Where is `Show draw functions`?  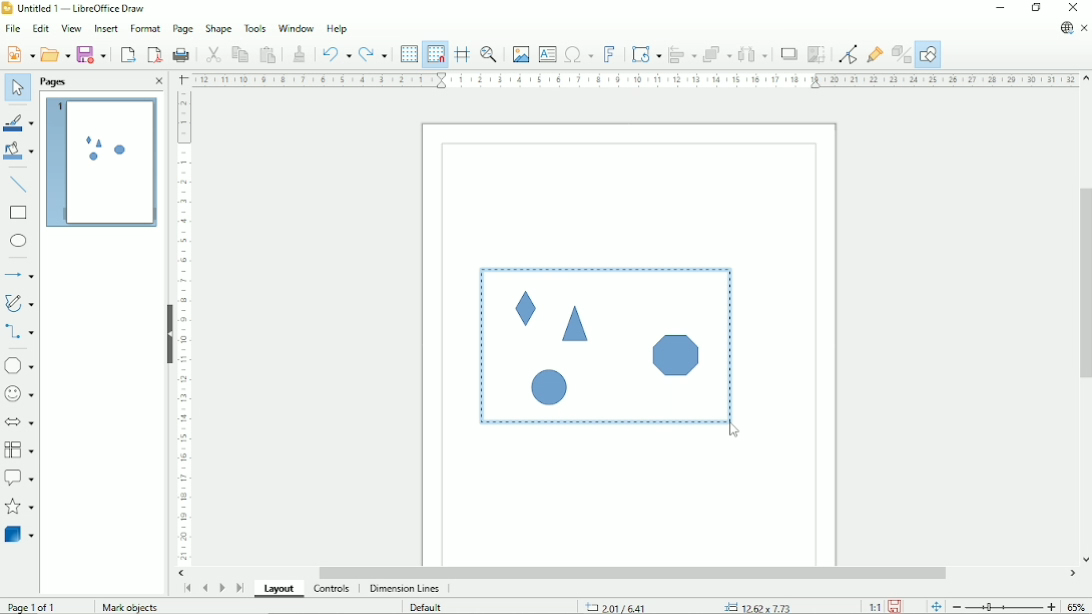 Show draw functions is located at coordinates (929, 53).